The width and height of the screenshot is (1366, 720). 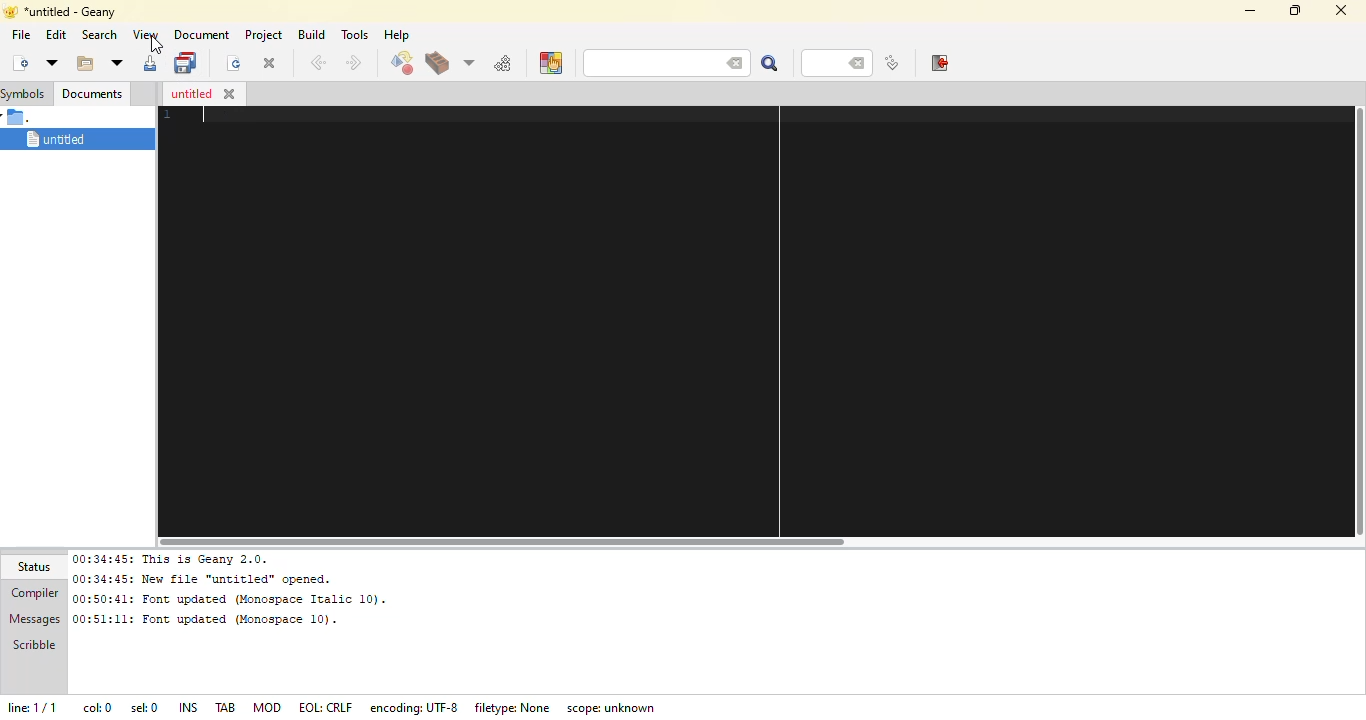 I want to click on ., so click(x=20, y=117).